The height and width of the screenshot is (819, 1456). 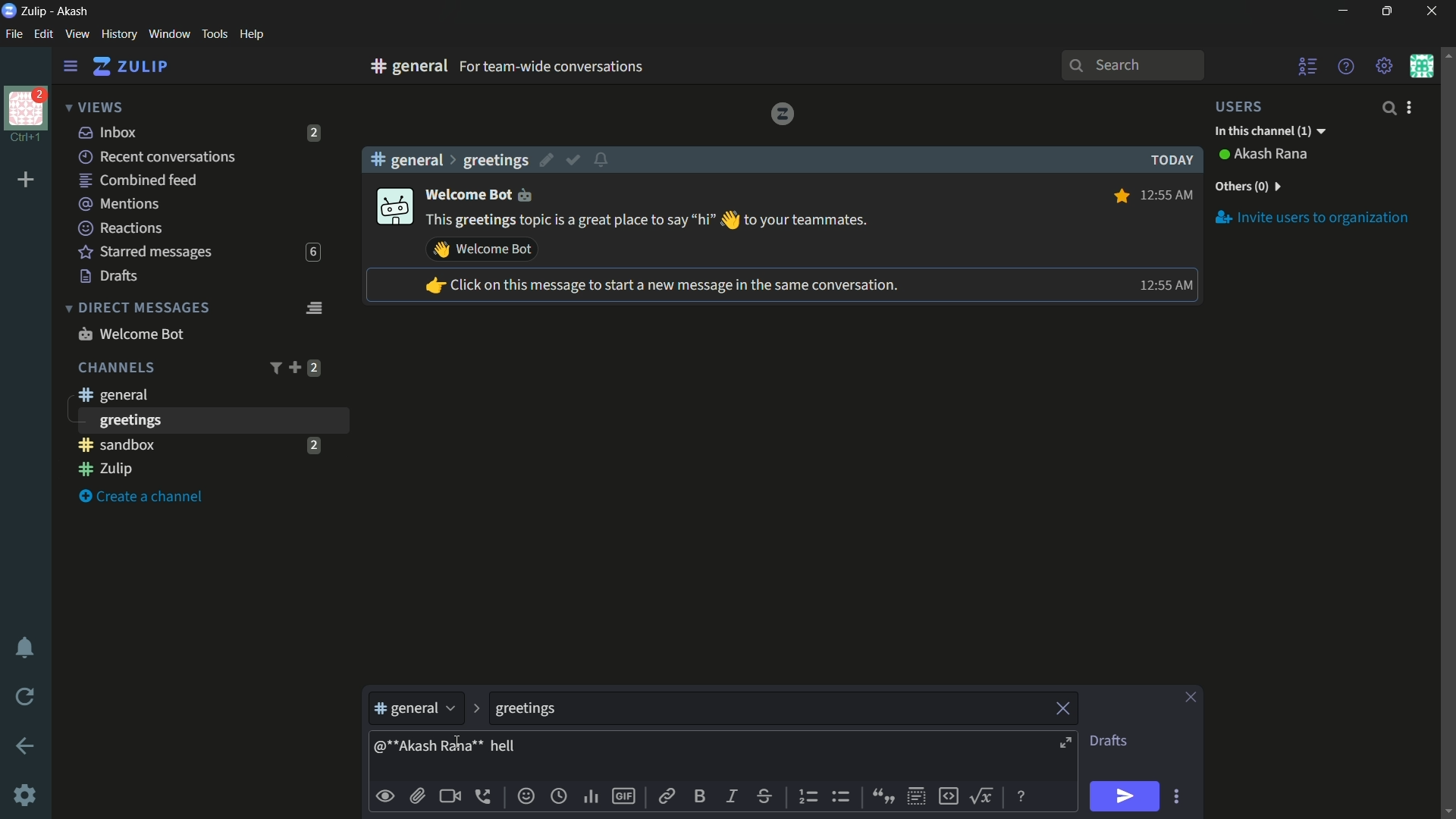 I want to click on configure topic notifications, so click(x=604, y=158).